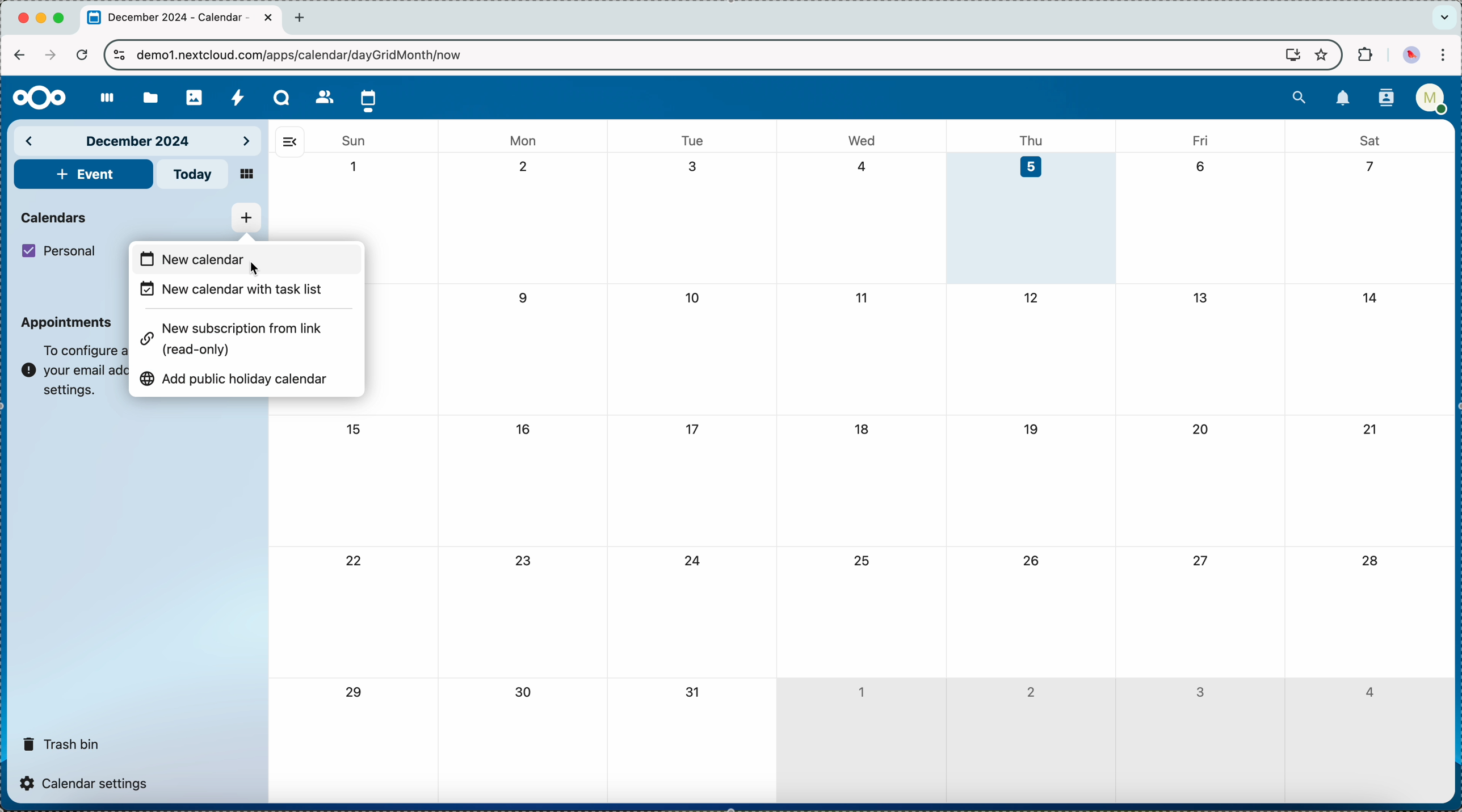 This screenshot has height=812, width=1462. I want to click on search tabs, so click(1444, 18).